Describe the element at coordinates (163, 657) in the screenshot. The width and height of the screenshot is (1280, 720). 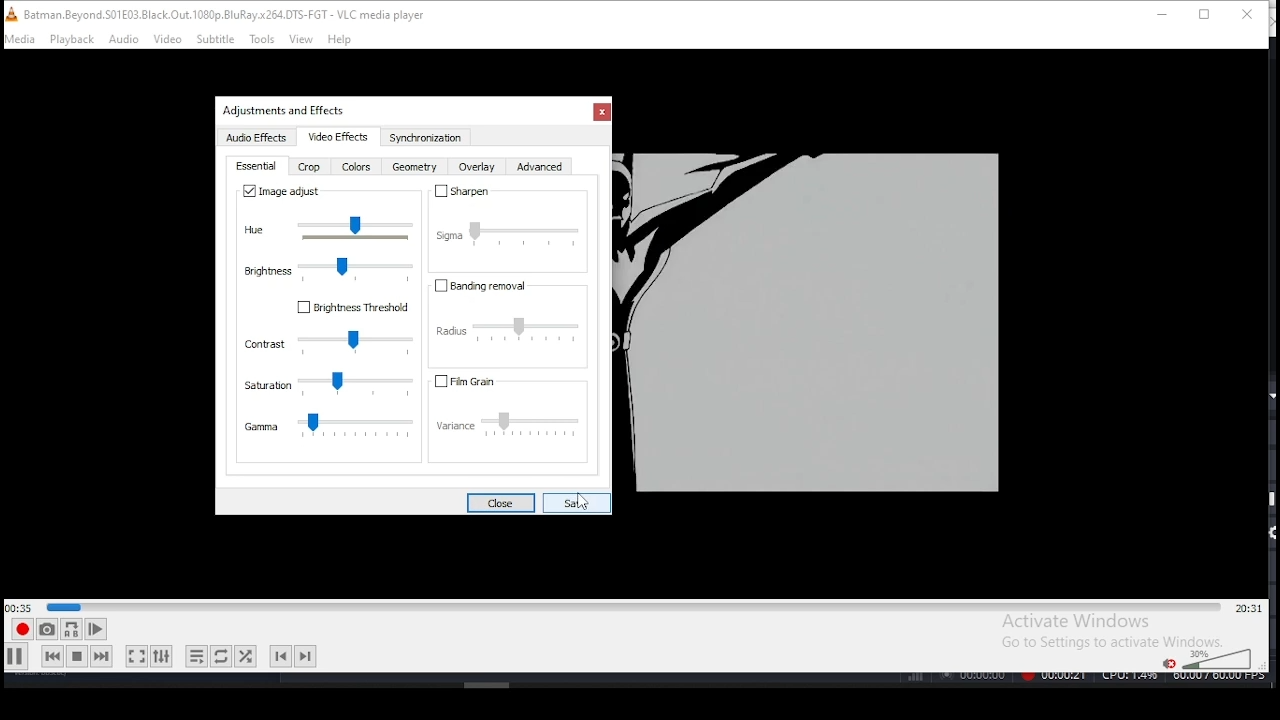
I see `show extended settings` at that location.